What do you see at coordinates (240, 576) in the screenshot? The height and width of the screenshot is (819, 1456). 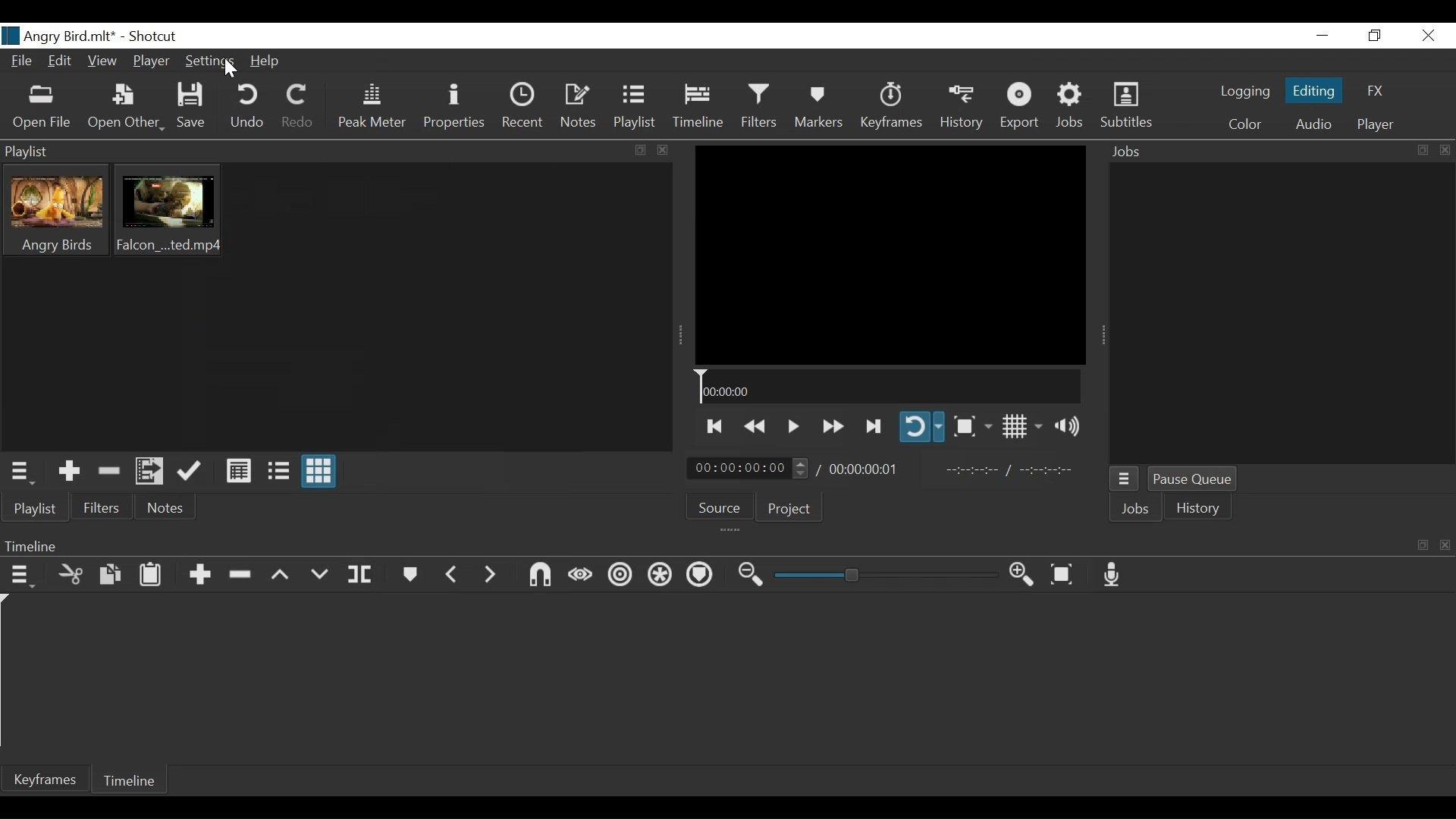 I see `Ripple Delete` at bounding box center [240, 576].